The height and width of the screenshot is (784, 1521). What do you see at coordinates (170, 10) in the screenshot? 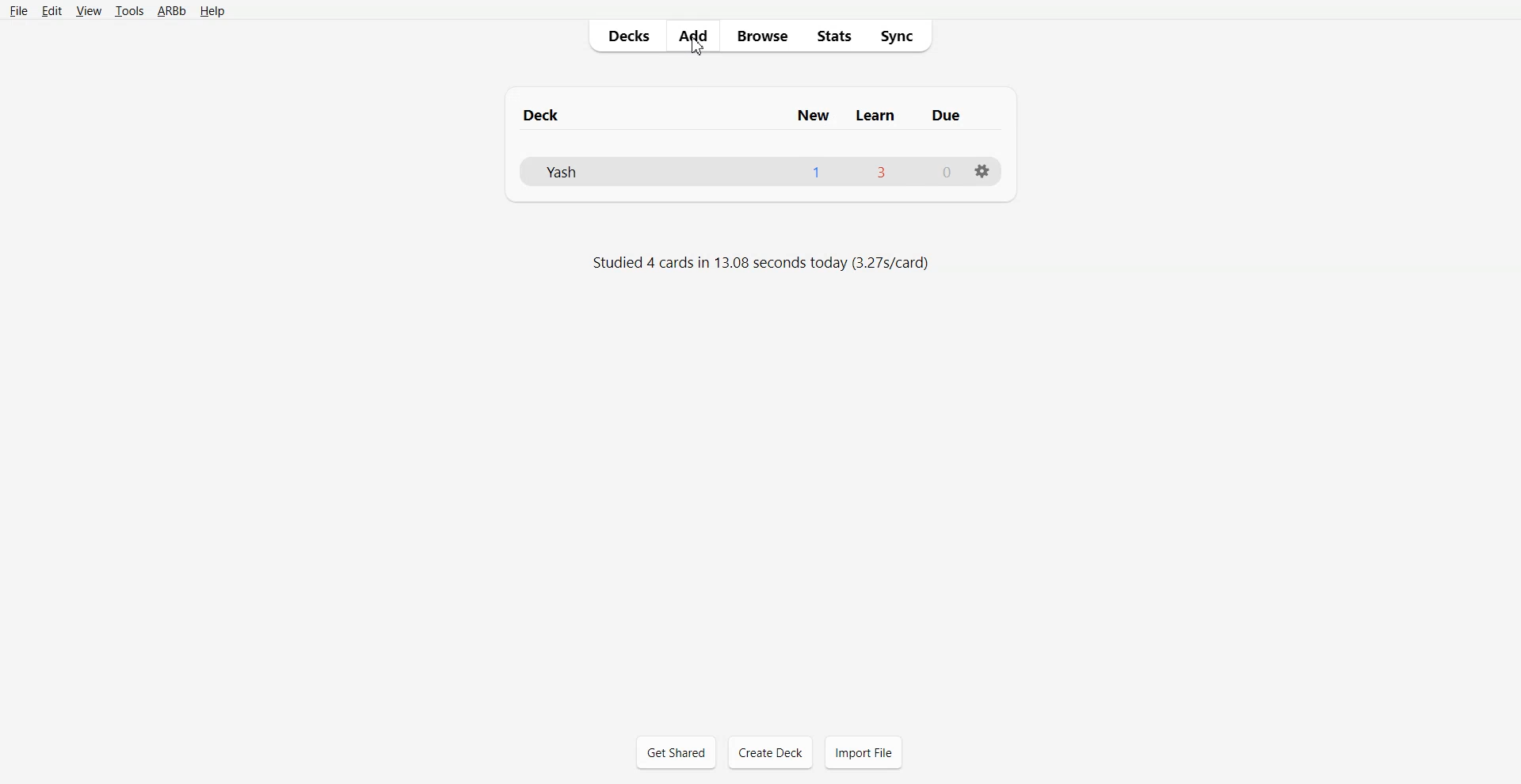
I see `ARBb` at bounding box center [170, 10].